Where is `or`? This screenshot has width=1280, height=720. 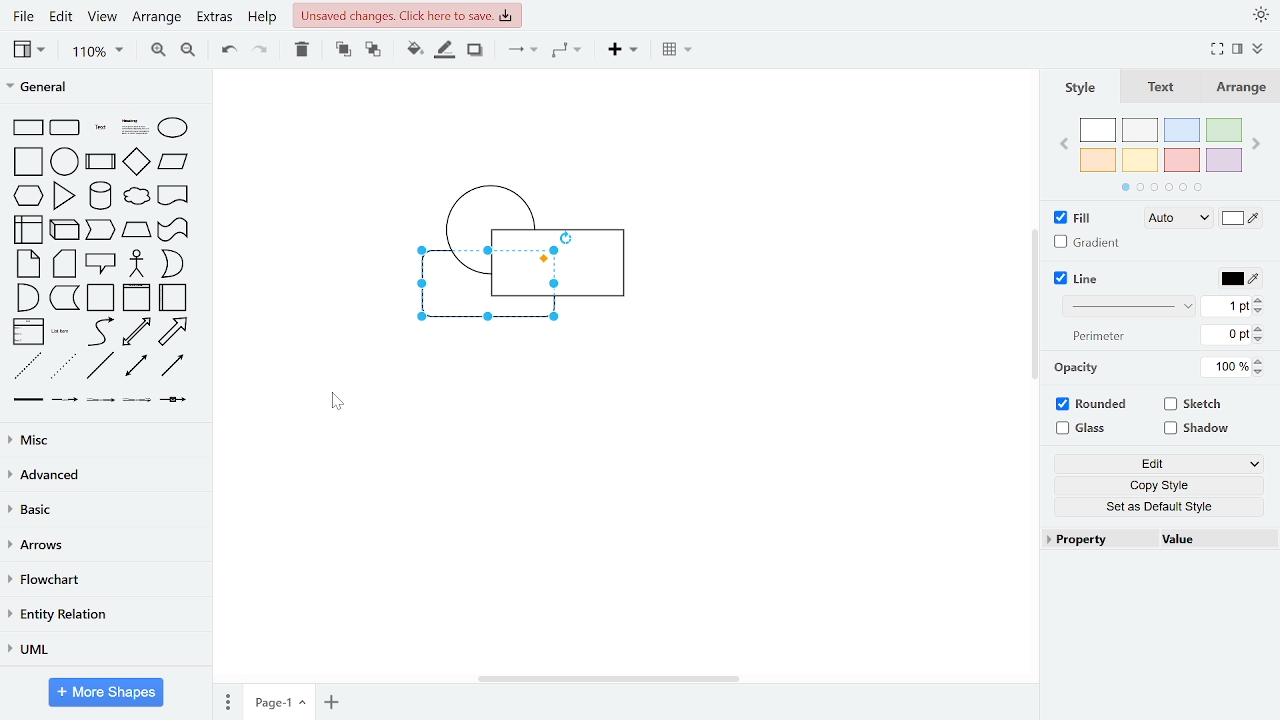 or is located at coordinates (172, 264).